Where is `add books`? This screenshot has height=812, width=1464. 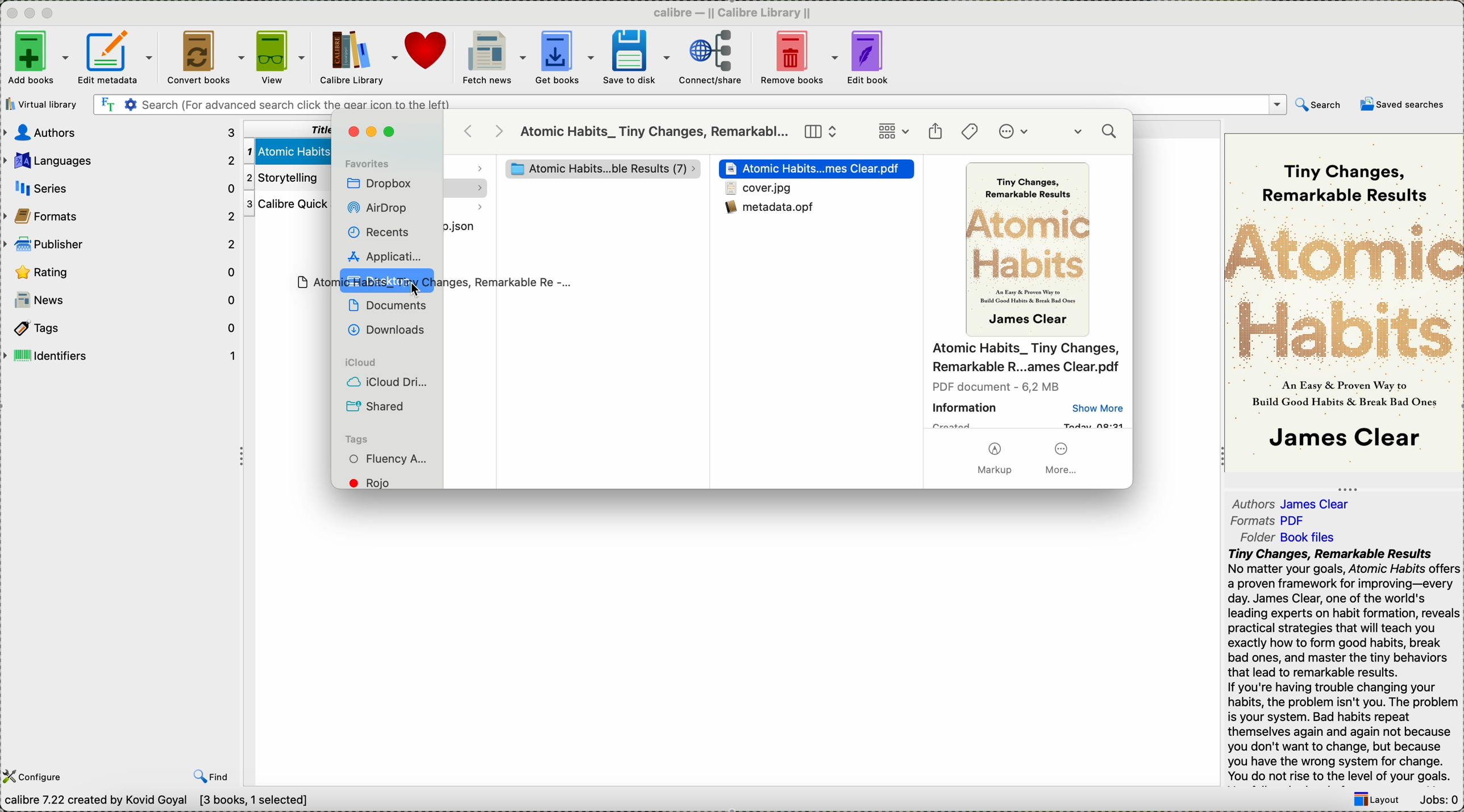
add books is located at coordinates (36, 59).